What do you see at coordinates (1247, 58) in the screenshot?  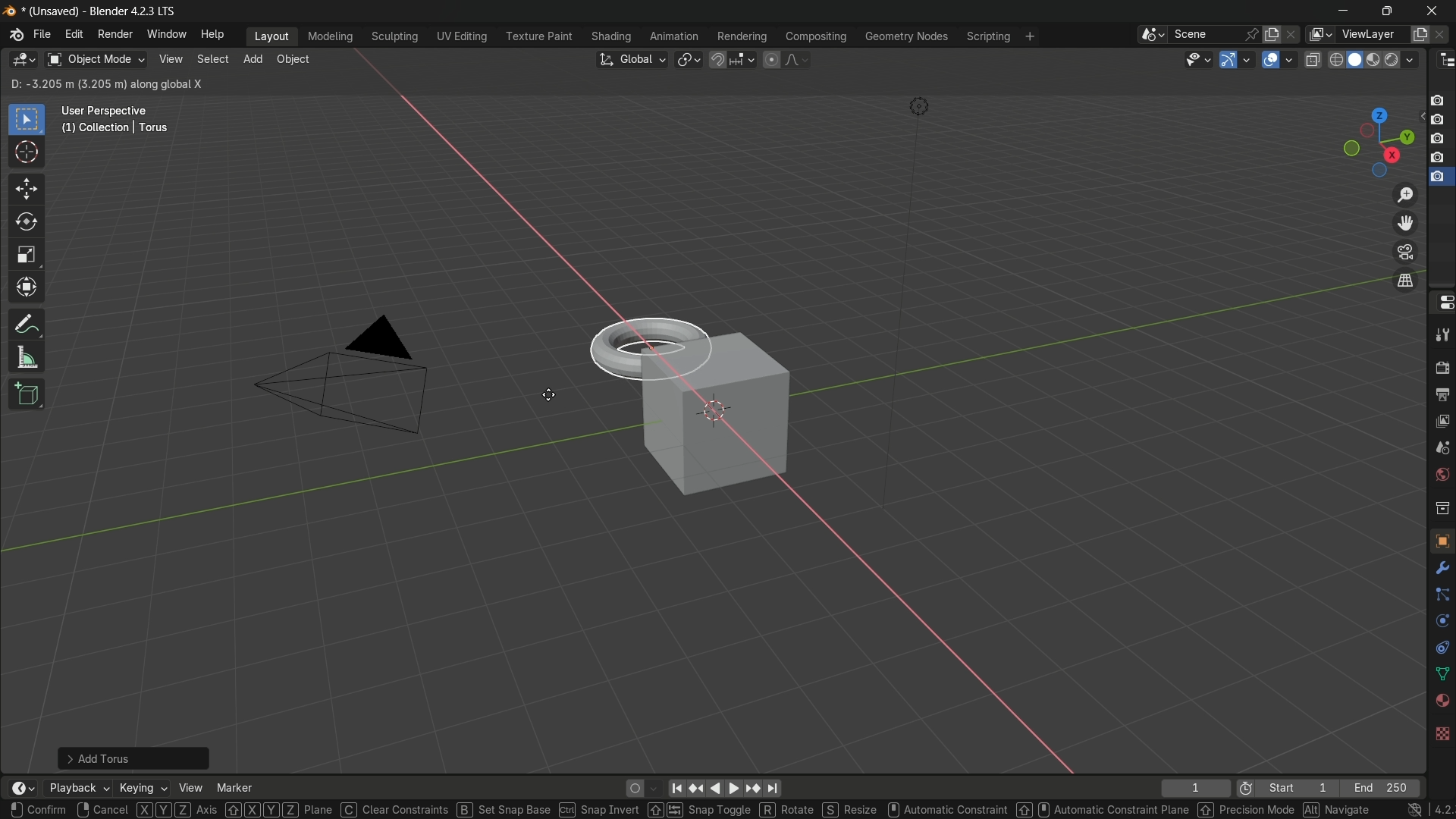 I see `gizmos` at bounding box center [1247, 58].